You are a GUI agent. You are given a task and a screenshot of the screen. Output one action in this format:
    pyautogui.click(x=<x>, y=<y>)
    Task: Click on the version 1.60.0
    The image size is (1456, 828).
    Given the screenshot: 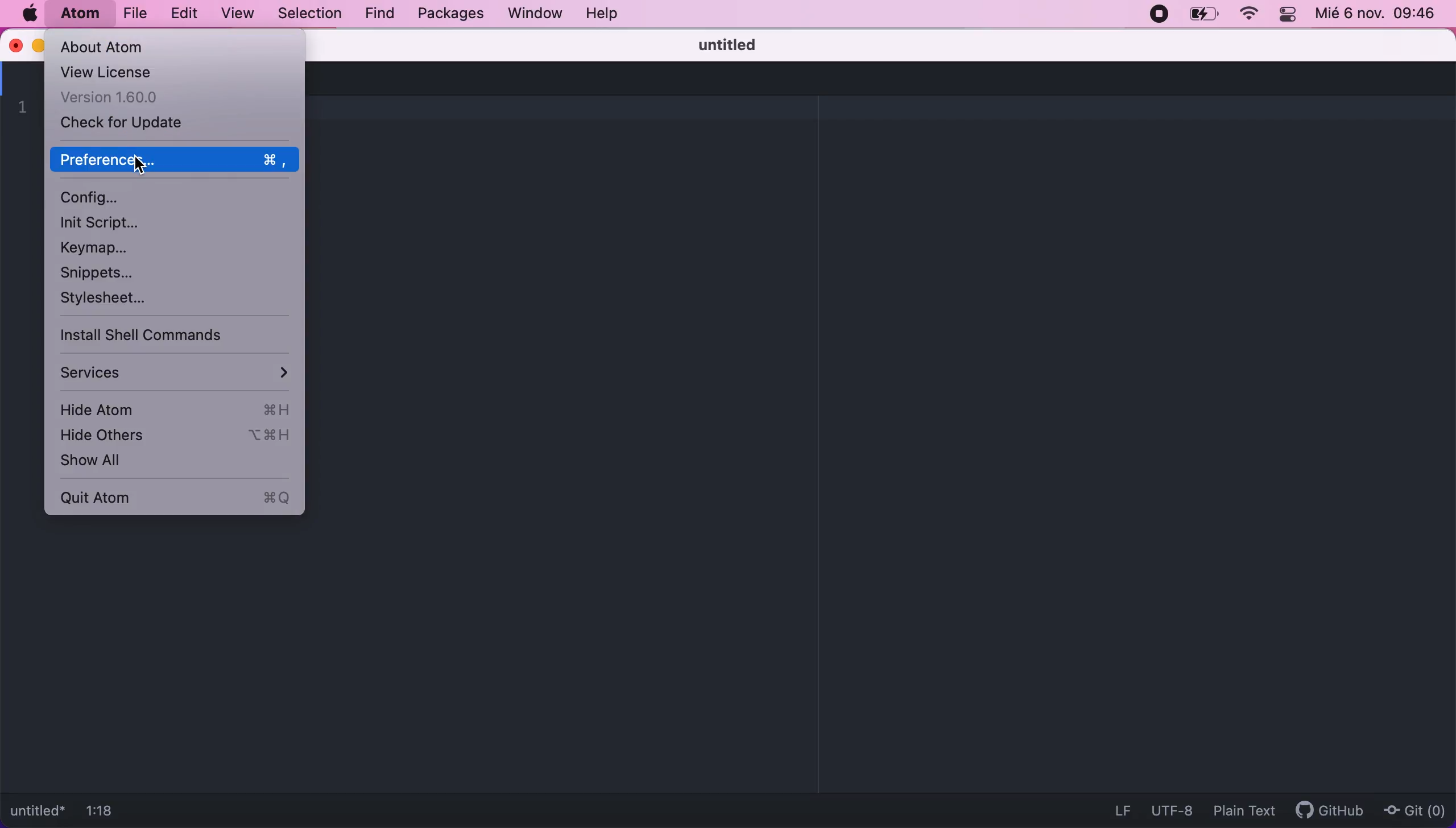 What is the action you would take?
    pyautogui.click(x=123, y=97)
    